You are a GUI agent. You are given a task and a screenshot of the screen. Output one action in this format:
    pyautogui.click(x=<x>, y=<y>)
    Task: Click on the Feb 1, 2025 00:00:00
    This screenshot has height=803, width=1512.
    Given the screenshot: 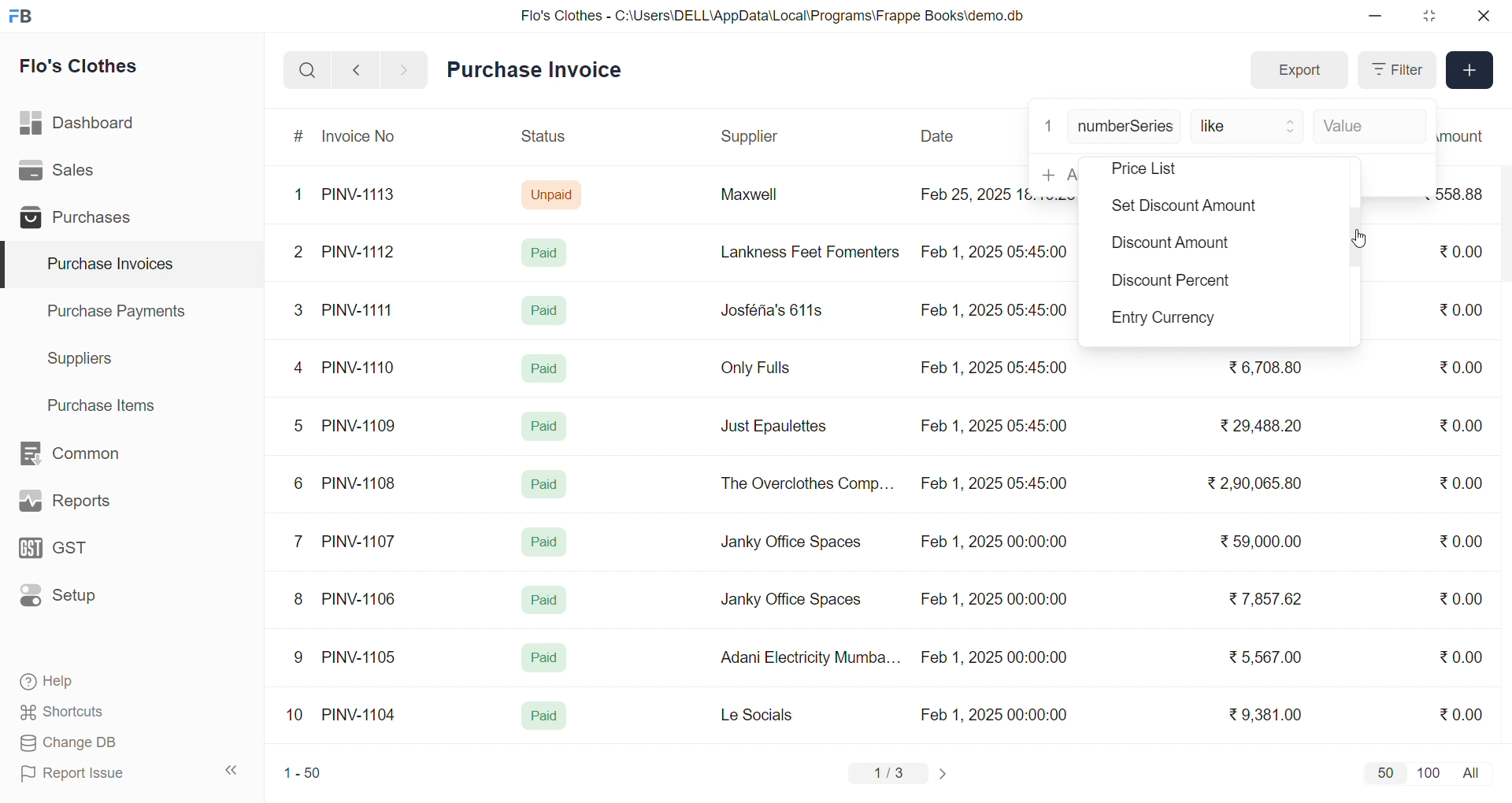 What is the action you would take?
    pyautogui.click(x=994, y=657)
    